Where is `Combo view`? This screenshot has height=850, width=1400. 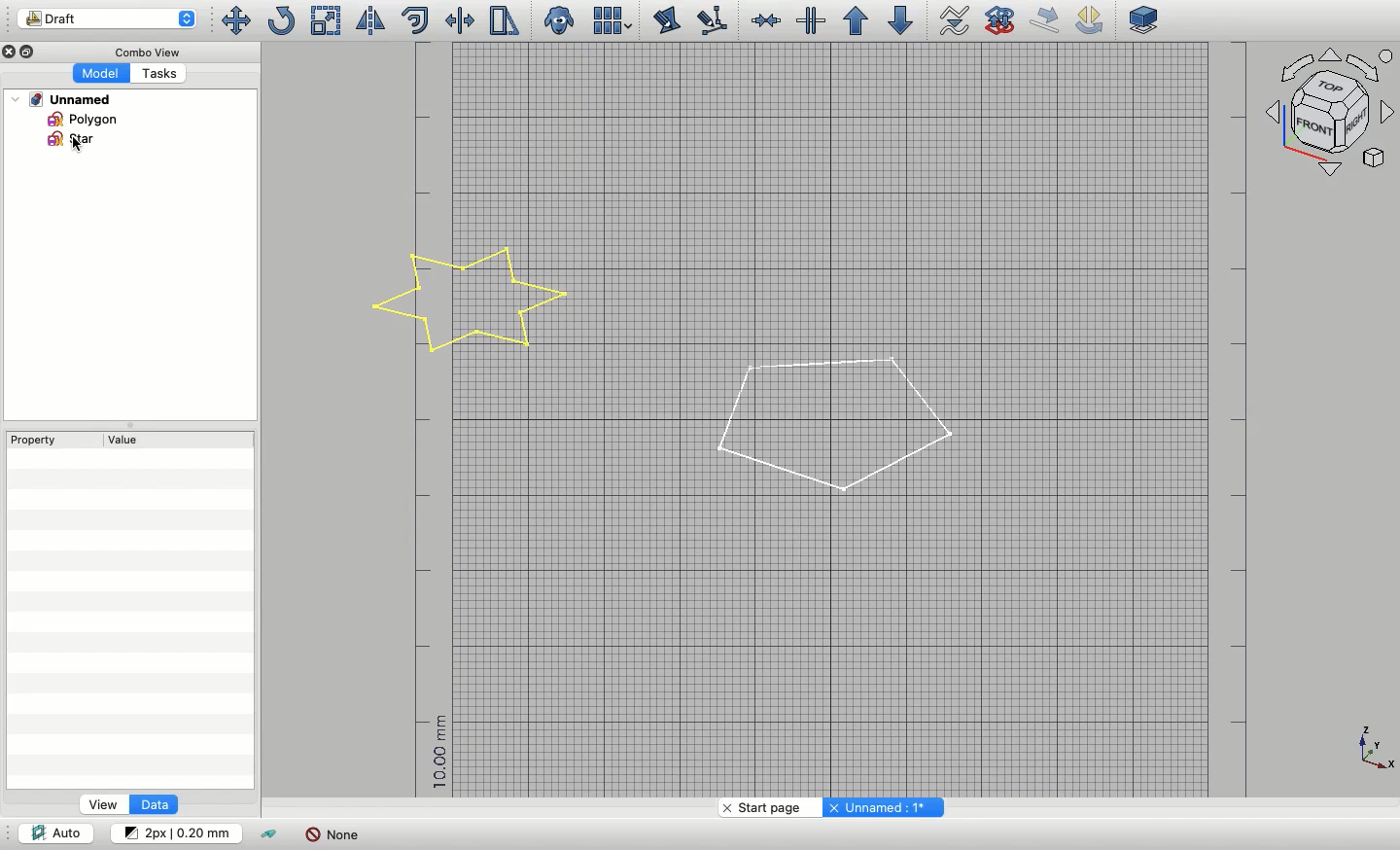
Combo view is located at coordinates (144, 51).